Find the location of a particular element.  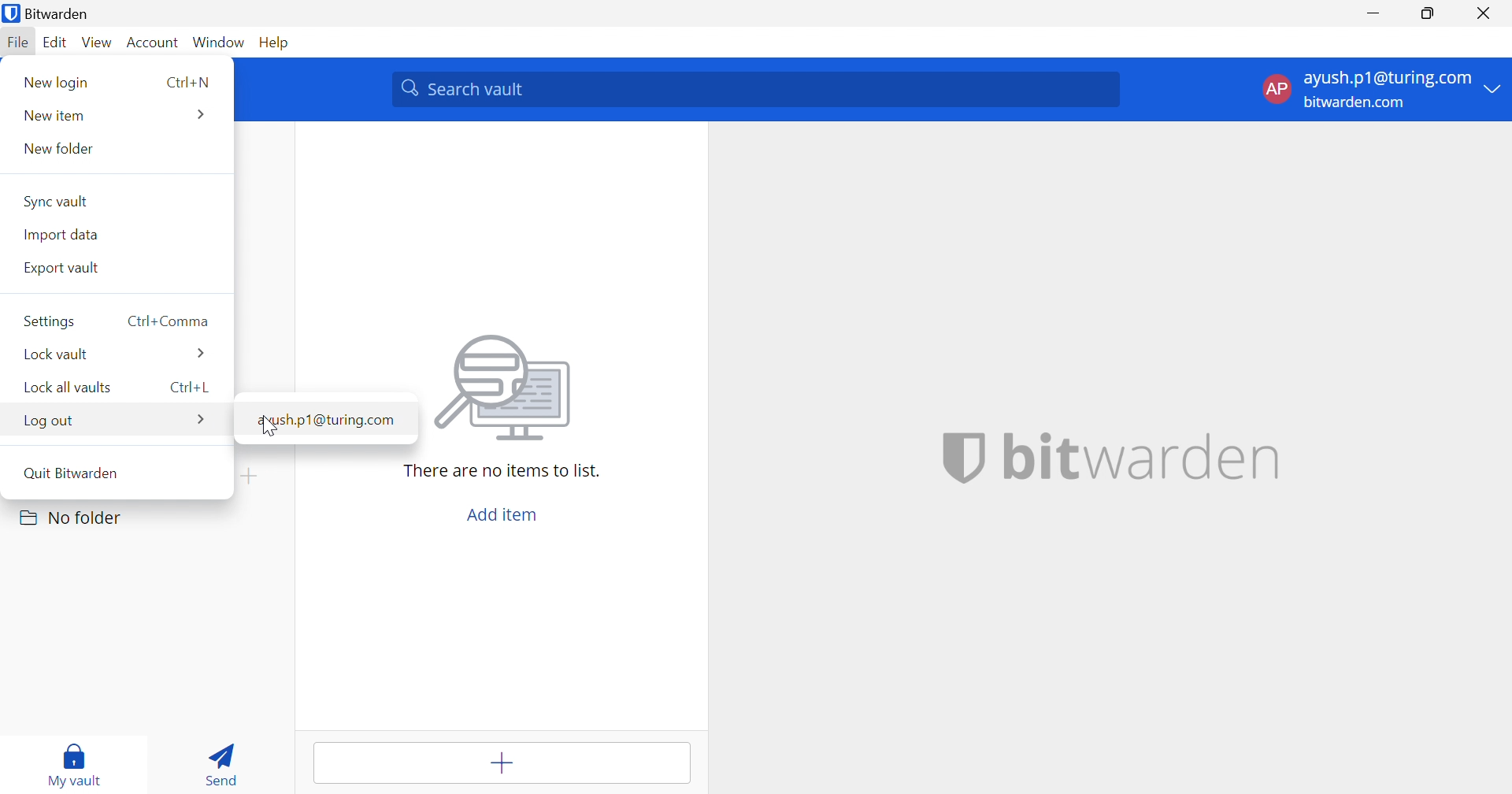

Help is located at coordinates (276, 42).